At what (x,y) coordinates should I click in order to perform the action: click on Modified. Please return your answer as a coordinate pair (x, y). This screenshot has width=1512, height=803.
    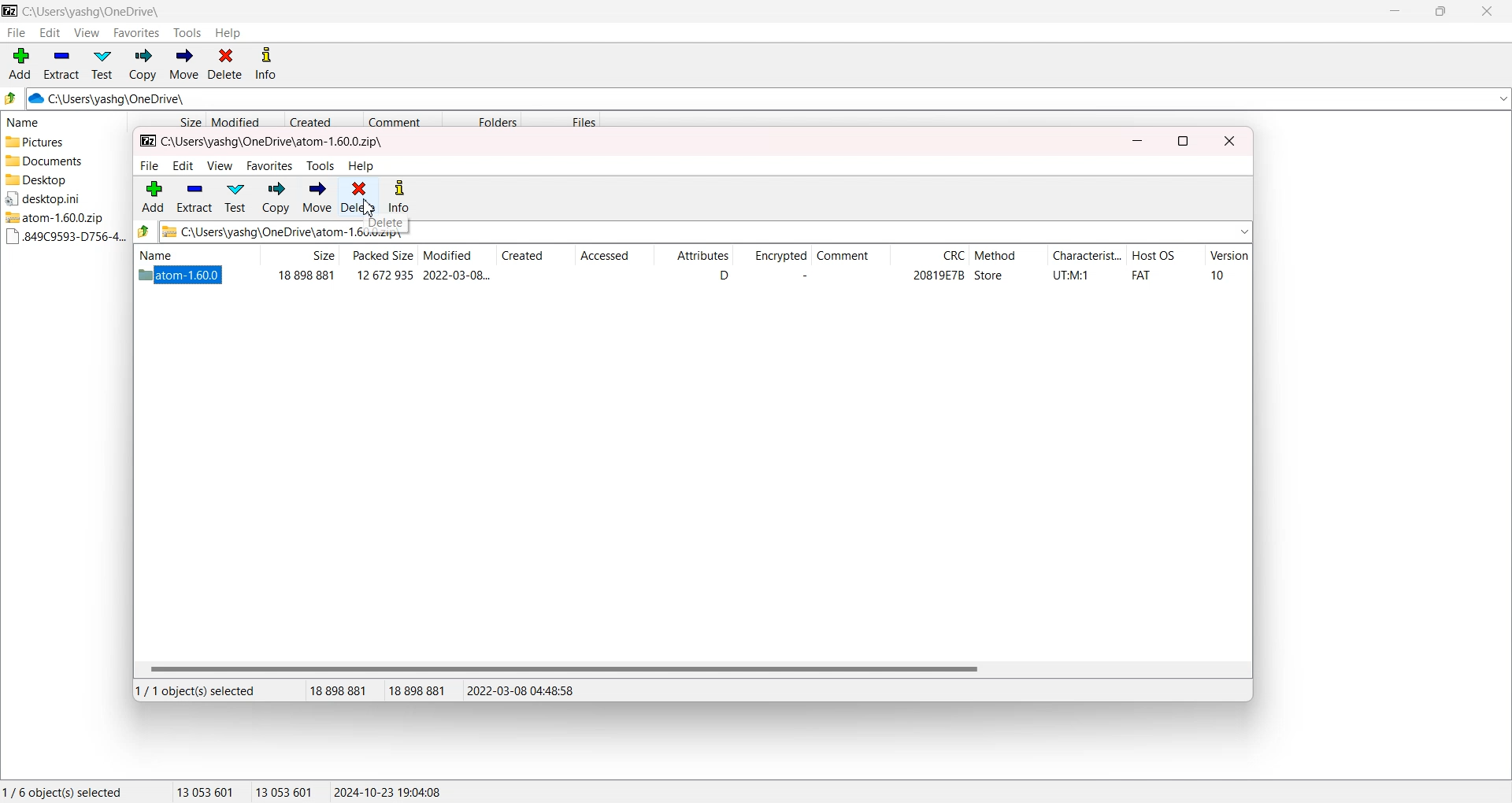
    Looking at the image, I should click on (455, 256).